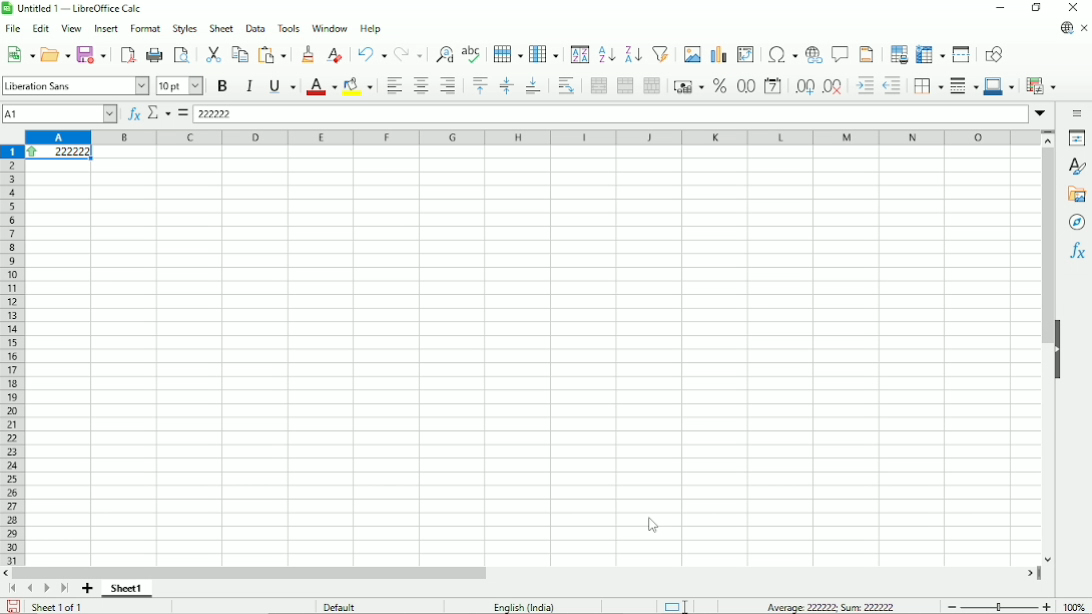 This screenshot has width=1092, height=614. Describe the element at coordinates (530, 136) in the screenshot. I see `Column headings` at that location.